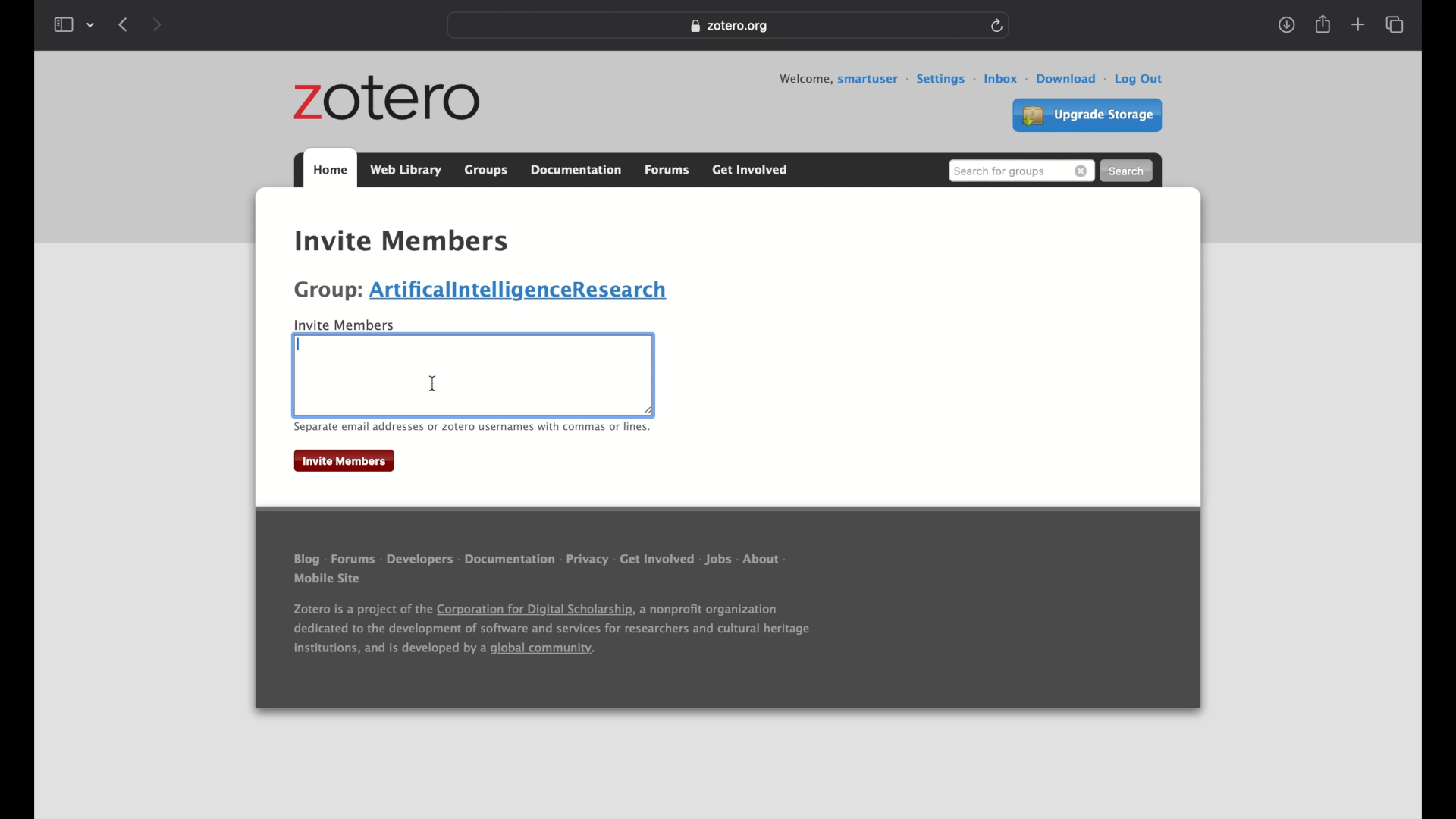  Describe the element at coordinates (480, 336) in the screenshot. I see `highlighted text boundary` at that location.